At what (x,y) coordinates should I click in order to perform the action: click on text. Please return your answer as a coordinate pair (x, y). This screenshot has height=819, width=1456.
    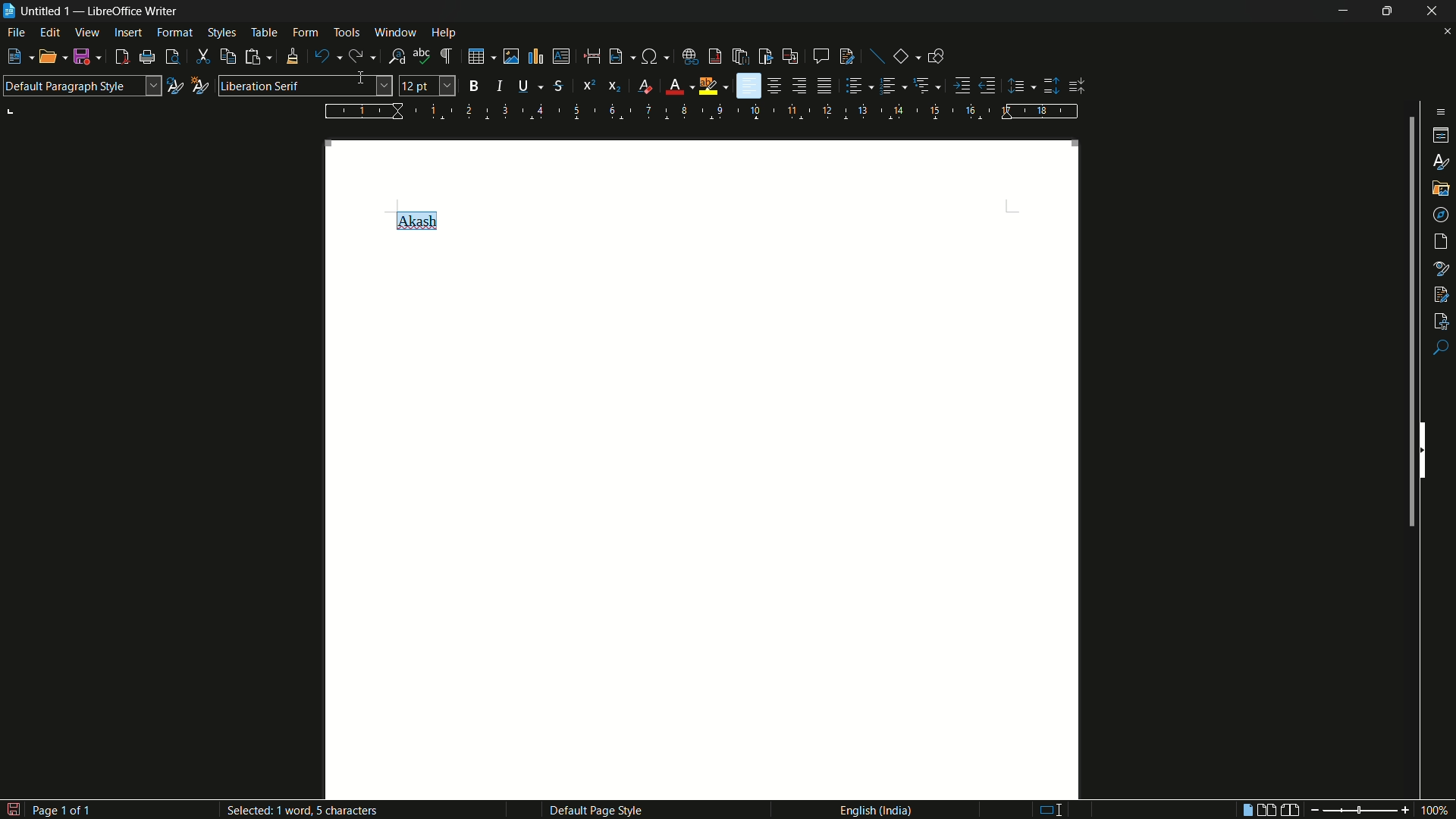
    Looking at the image, I should click on (415, 219).